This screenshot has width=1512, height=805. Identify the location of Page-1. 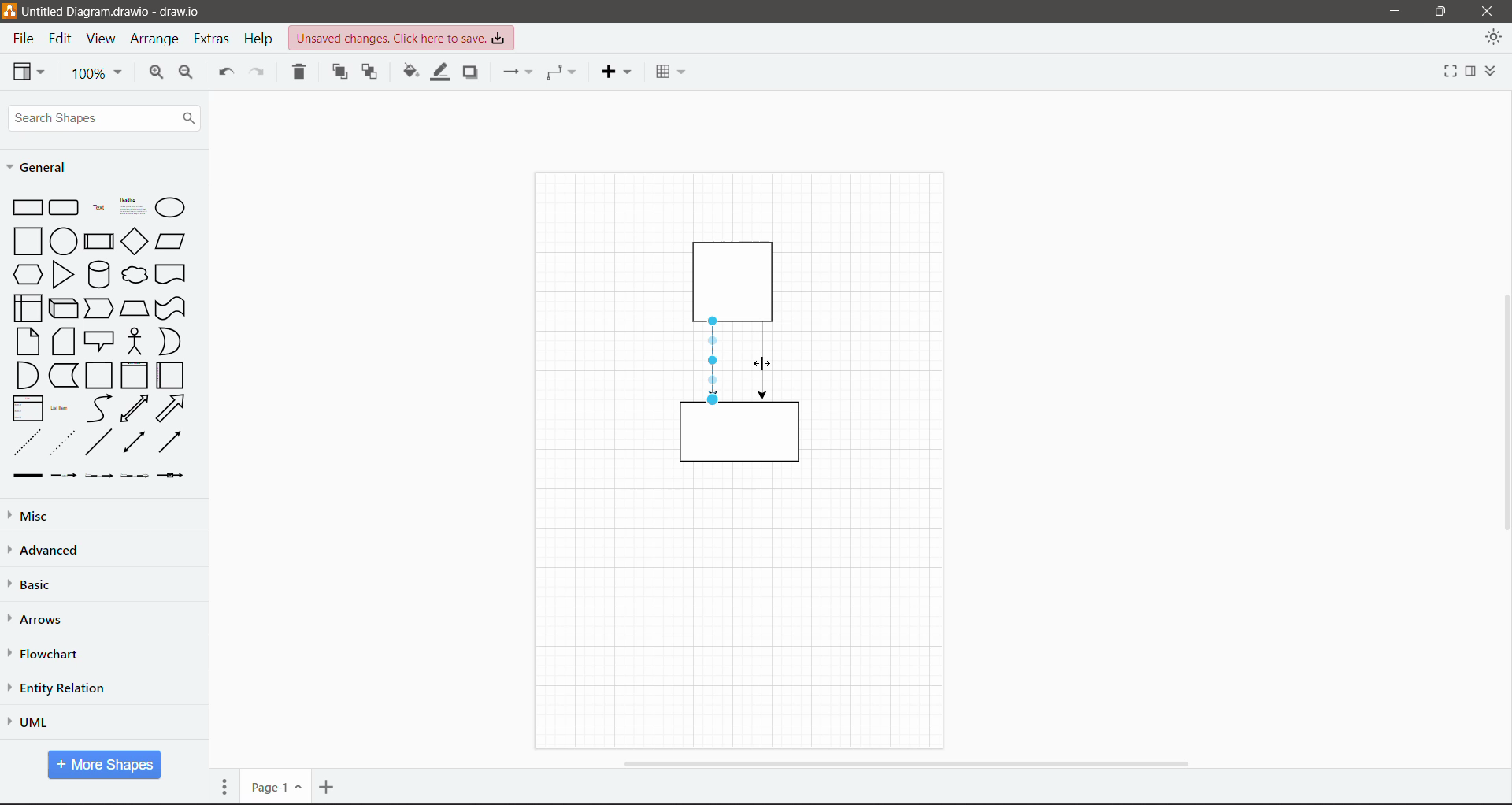
(275, 787).